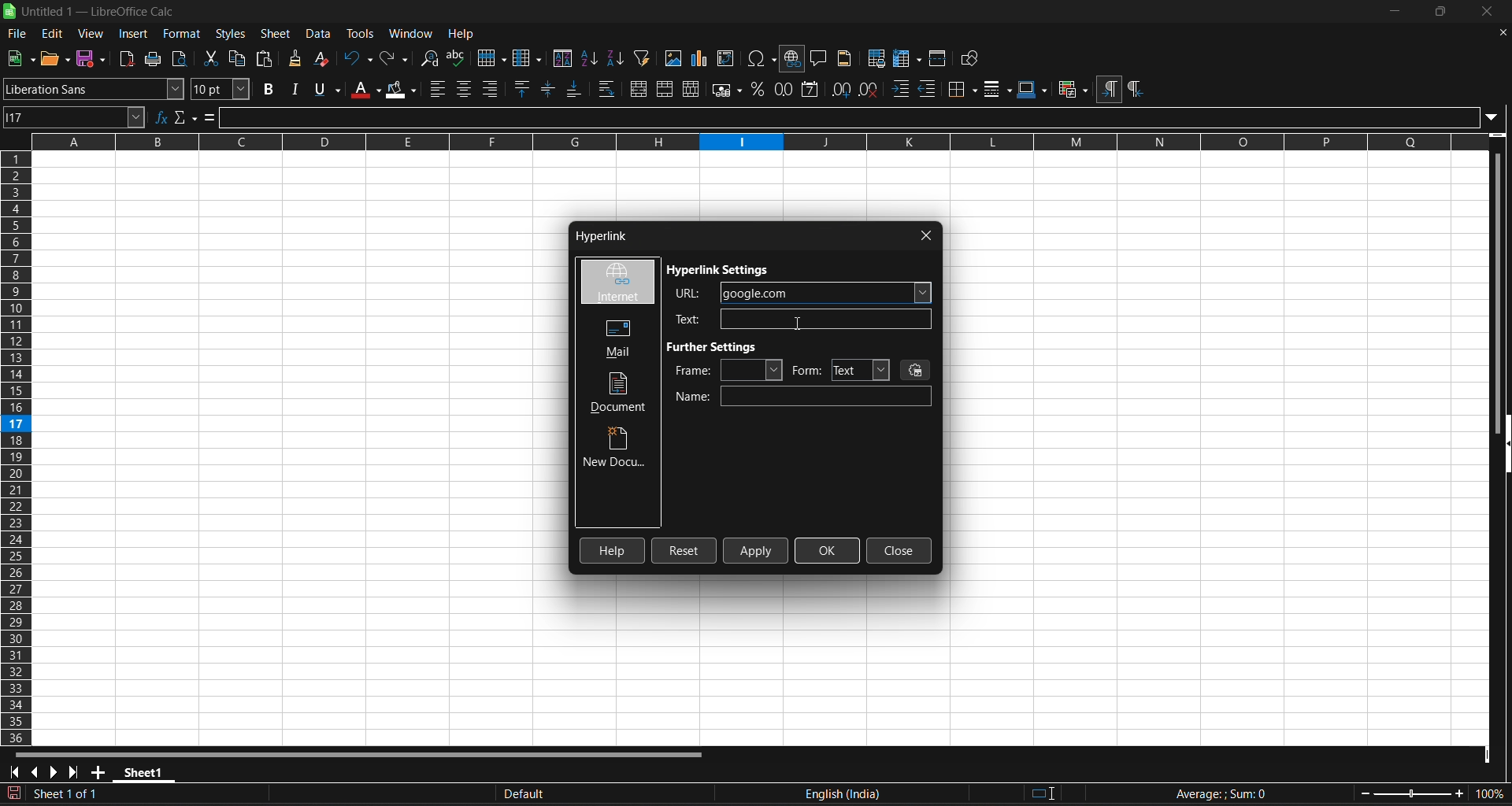 The image size is (1512, 806). Describe the element at coordinates (1135, 90) in the screenshot. I see `right to left` at that location.